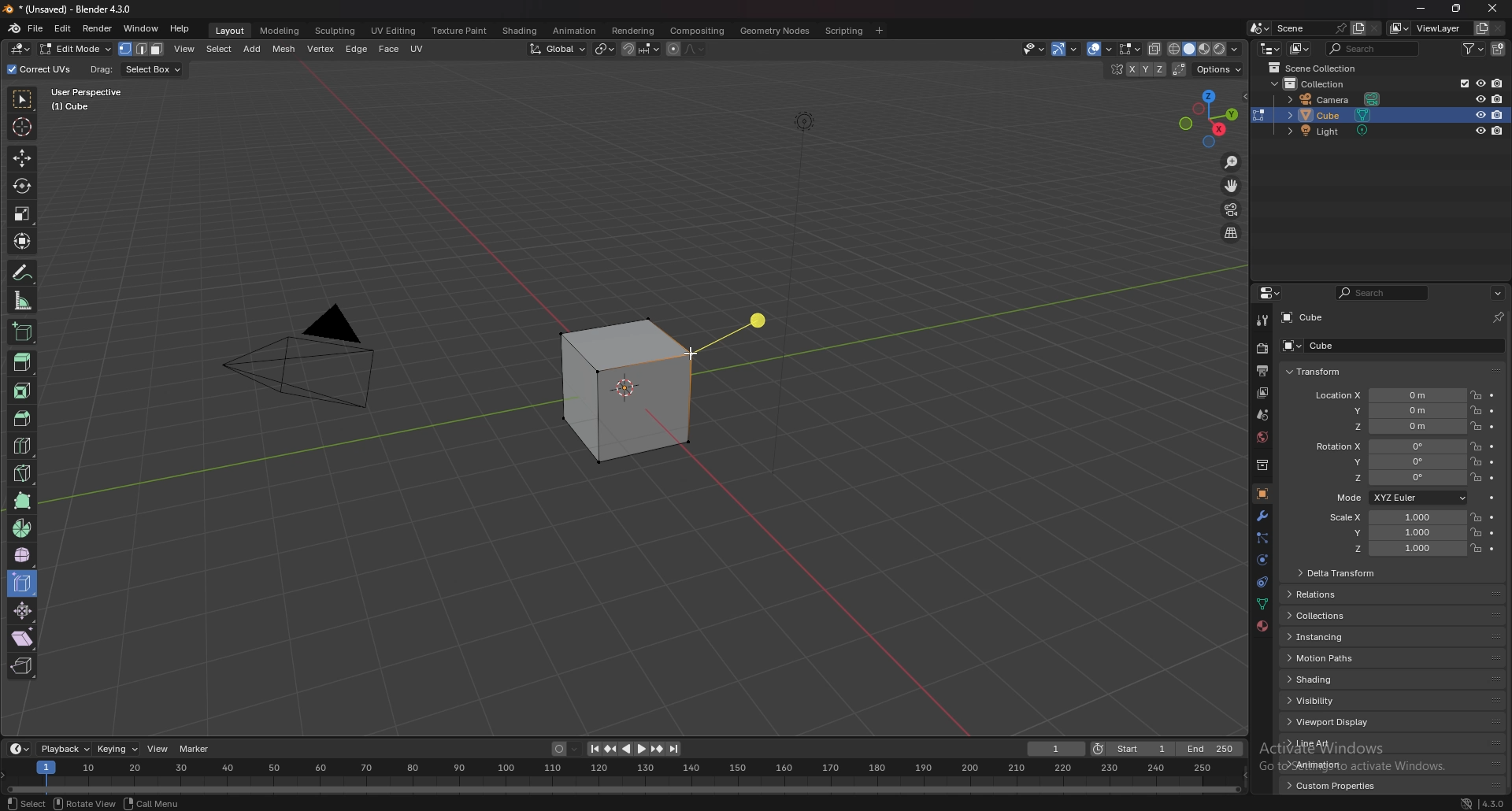 This screenshot has height=811, width=1512. Describe the element at coordinates (1327, 764) in the screenshot. I see `animation` at that location.